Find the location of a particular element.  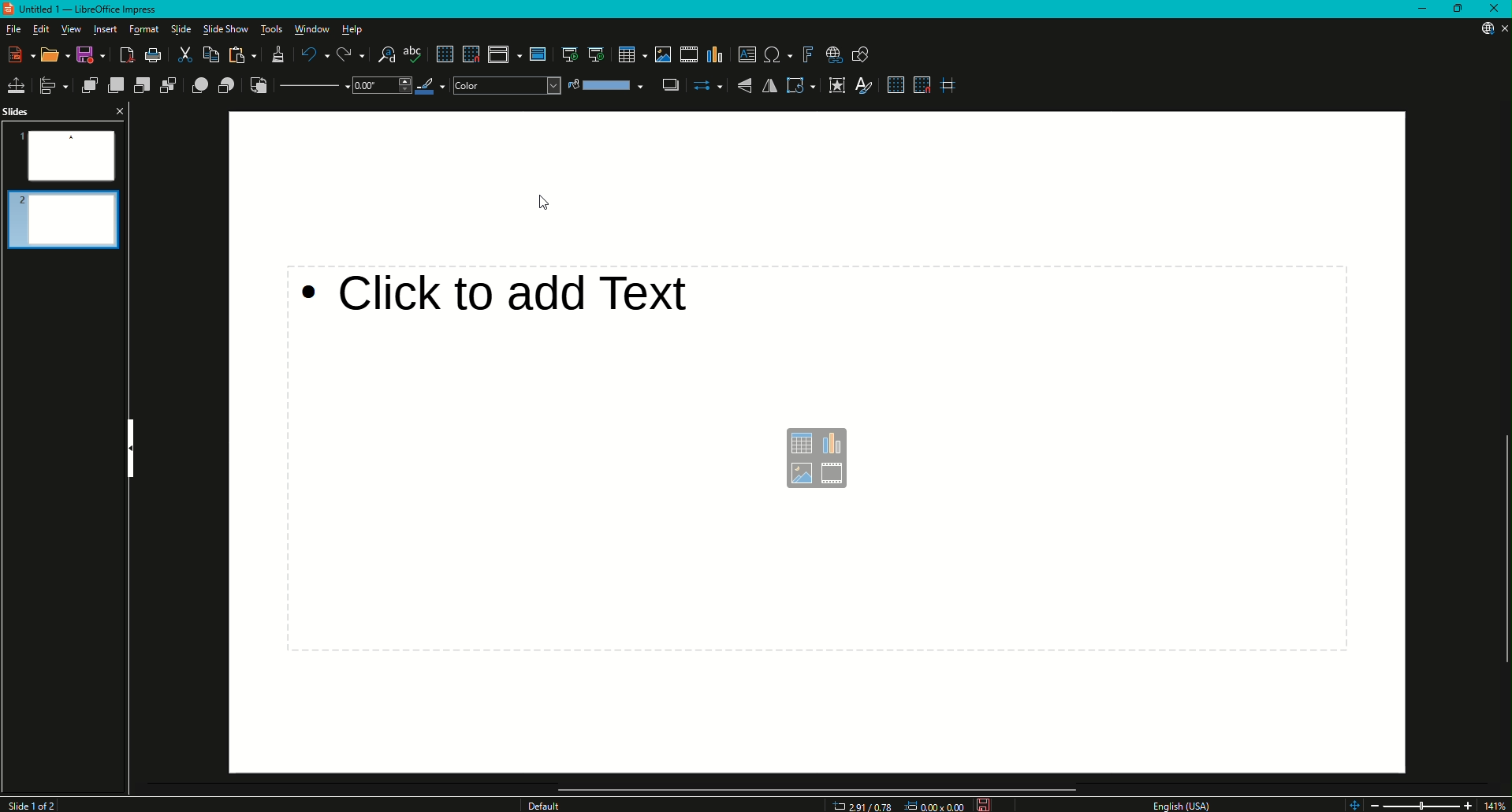

Insert Special Characters is located at coordinates (774, 54).